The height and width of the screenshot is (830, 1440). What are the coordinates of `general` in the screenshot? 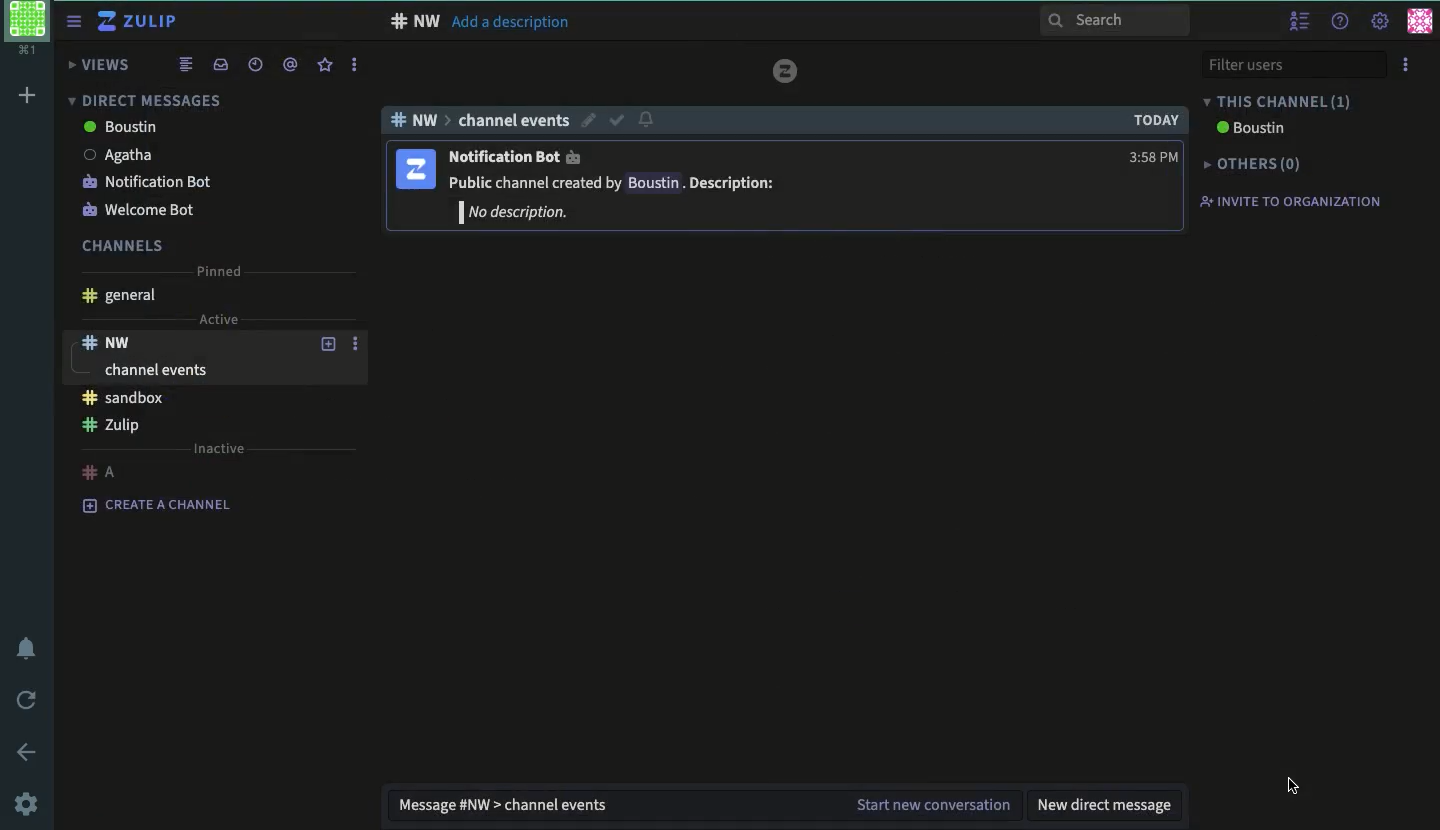 It's located at (126, 300).